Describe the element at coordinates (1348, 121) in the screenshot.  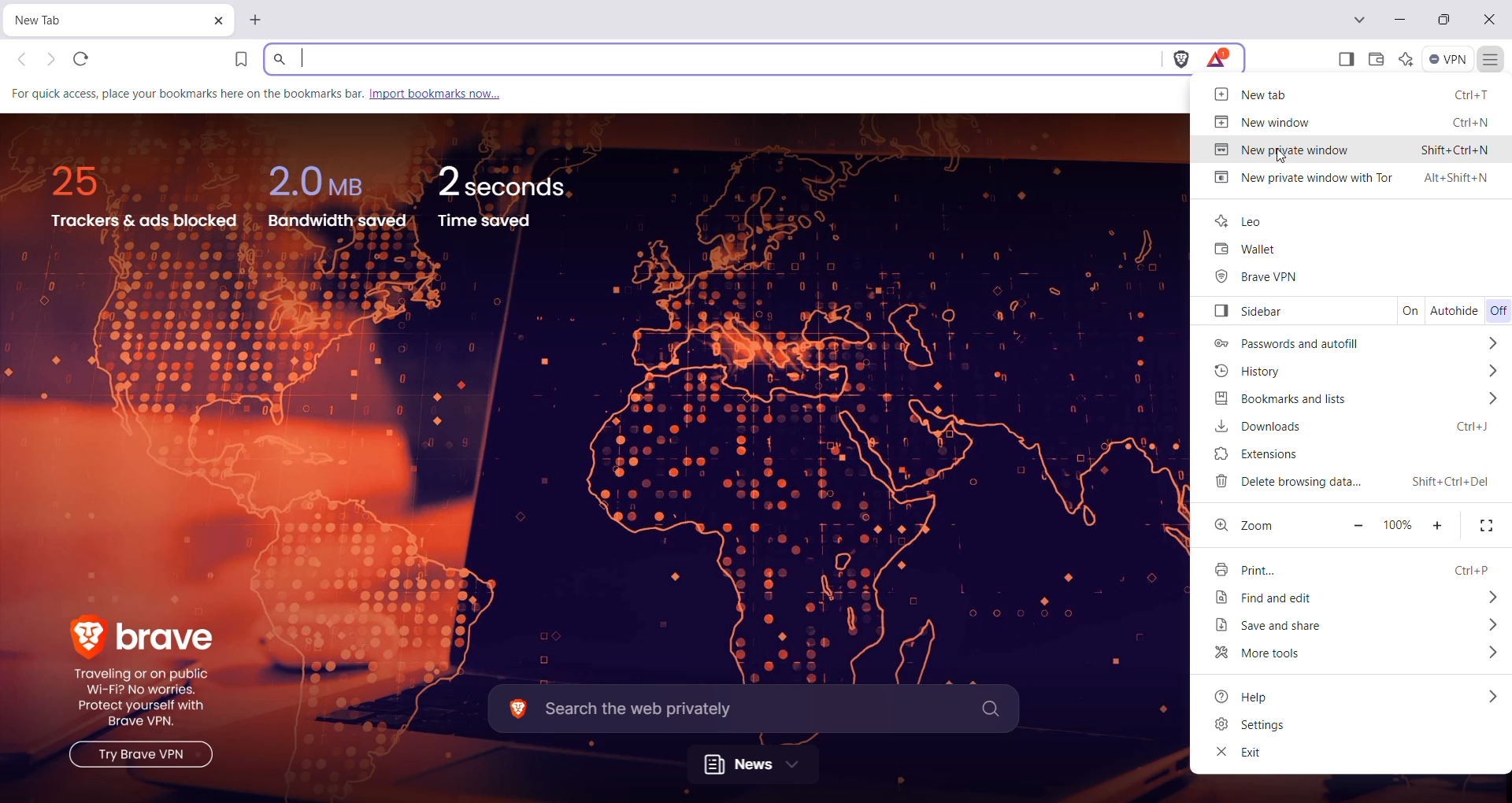
I see `New Window` at that location.